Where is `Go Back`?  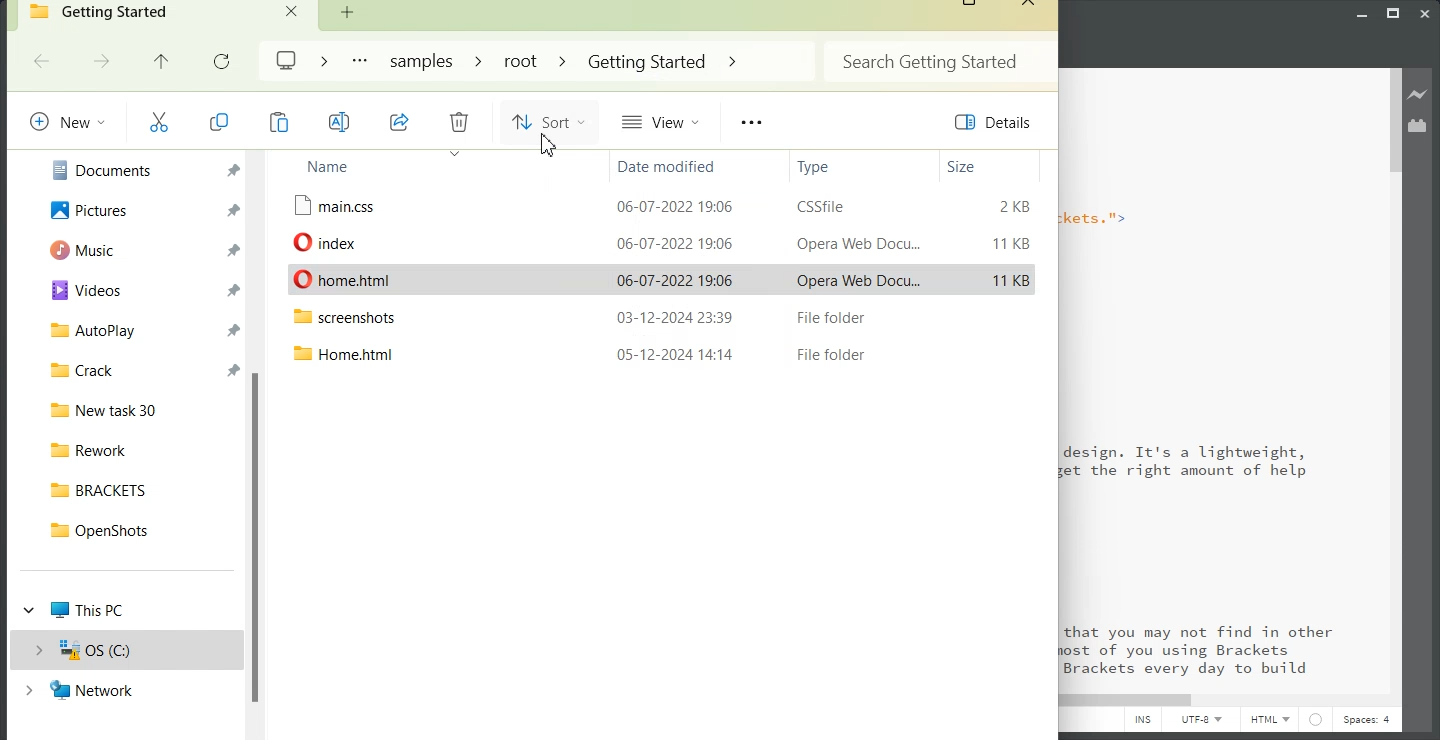
Go Back is located at coordinates (44, 61).